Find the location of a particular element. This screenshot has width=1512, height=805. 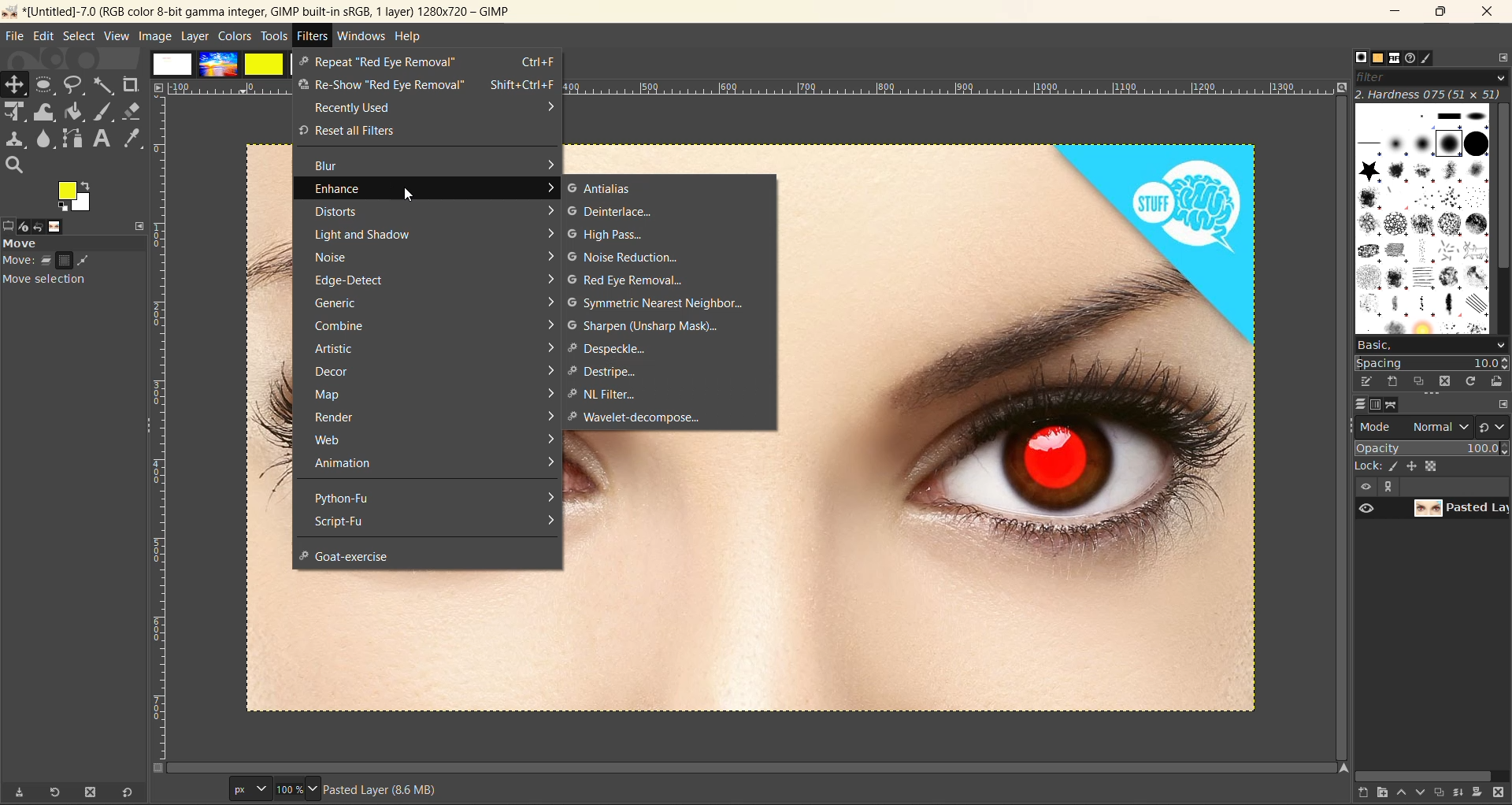

red eye removal is located at coordinates (629, 280).